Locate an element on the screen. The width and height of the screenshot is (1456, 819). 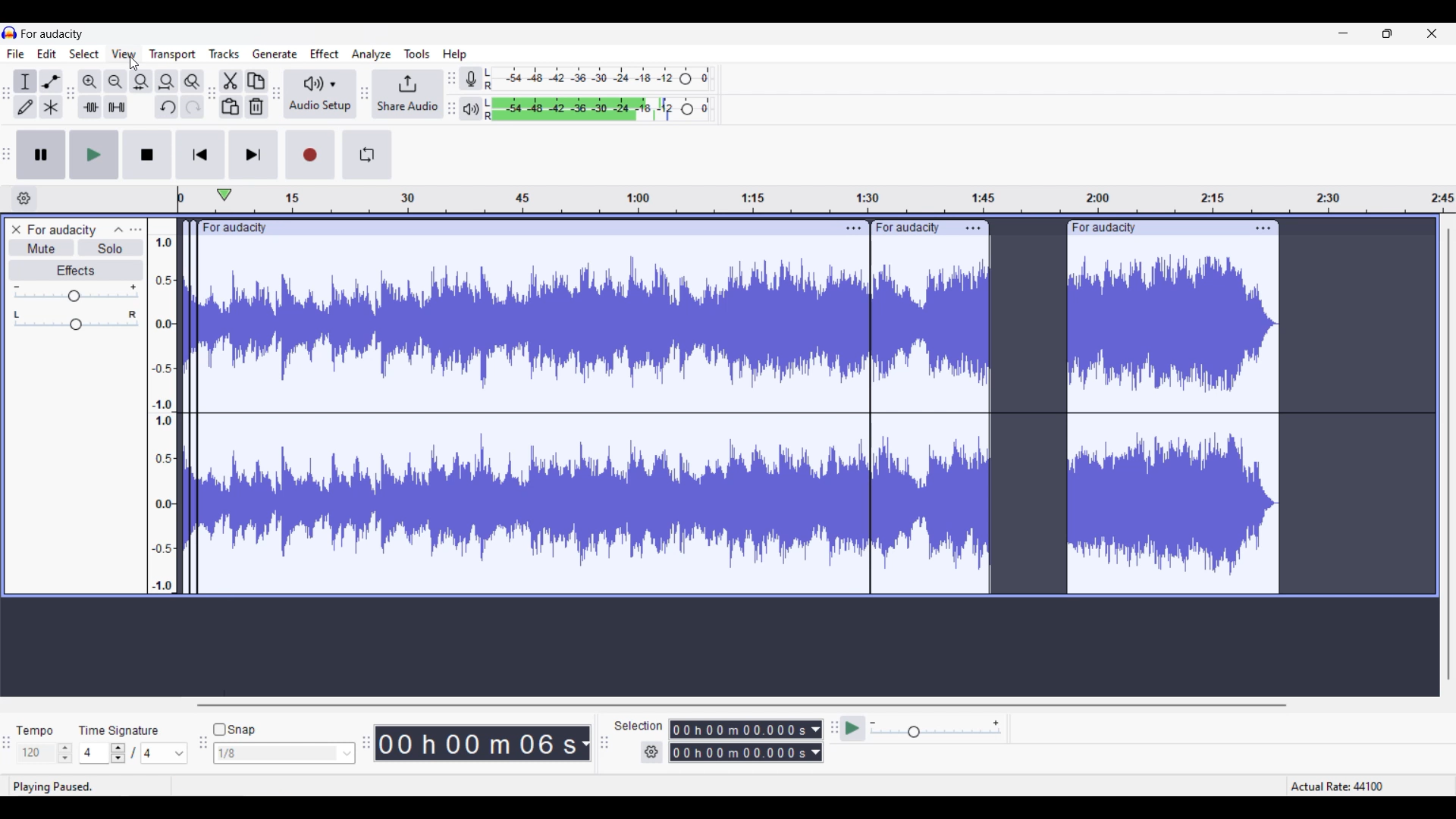
click to drag is located at coordinates (912, 225).